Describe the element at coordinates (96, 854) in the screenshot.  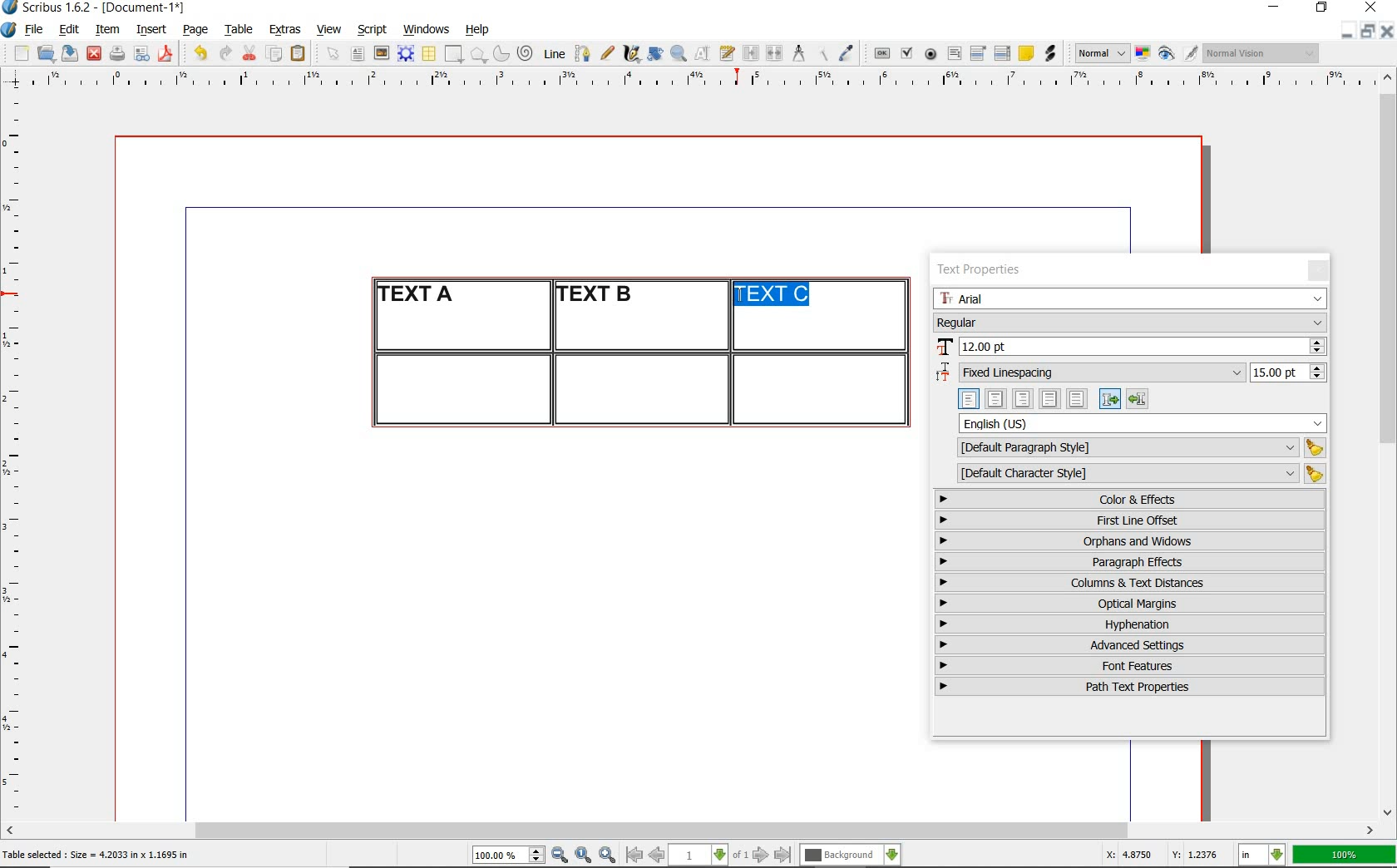
I see `Table selected : Size = 4.2033 in x 1.1695 in` at that location.